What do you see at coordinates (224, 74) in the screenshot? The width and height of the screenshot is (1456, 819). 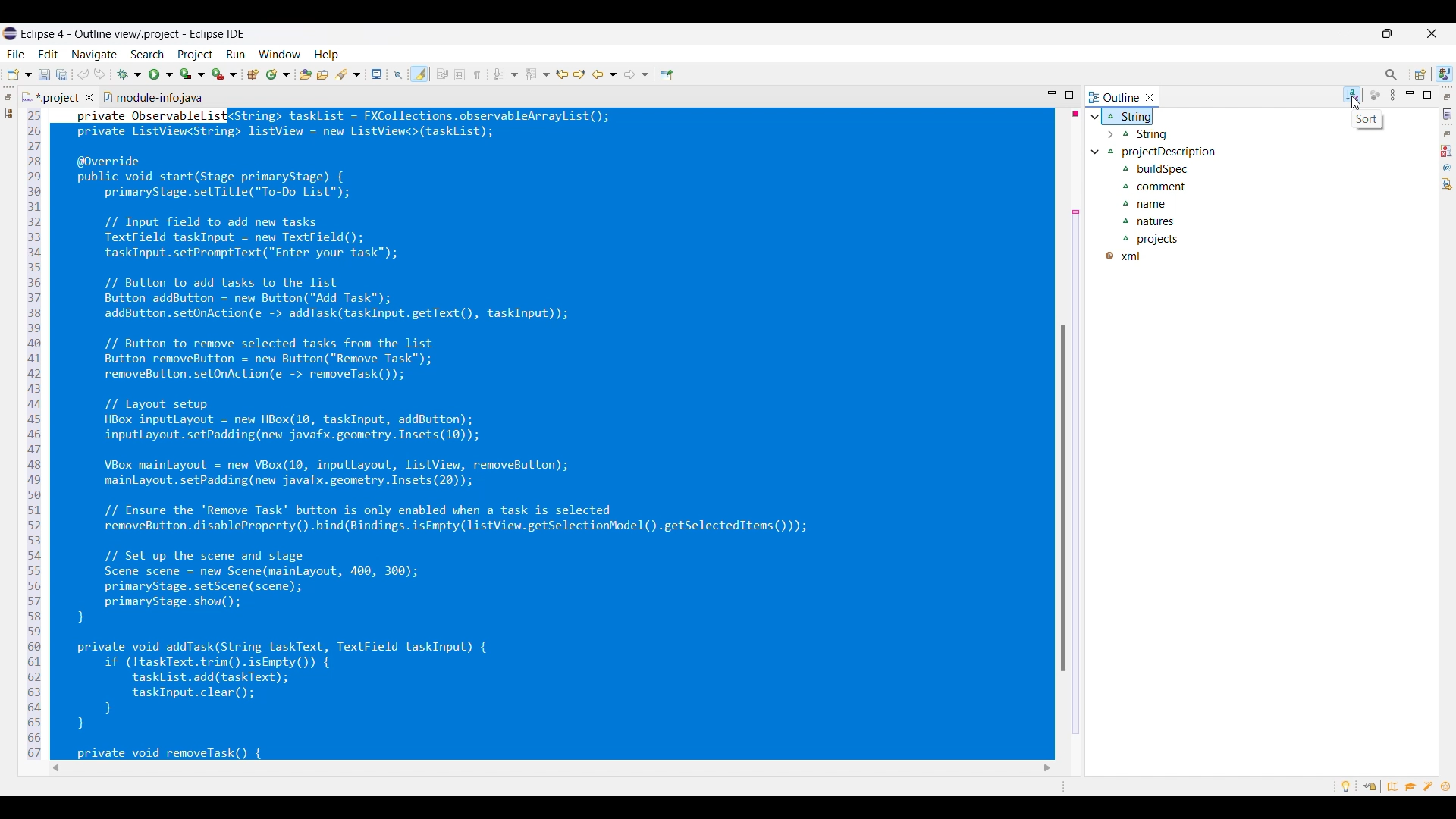 I see `Run last tool options` at bounding box center [224, 74].